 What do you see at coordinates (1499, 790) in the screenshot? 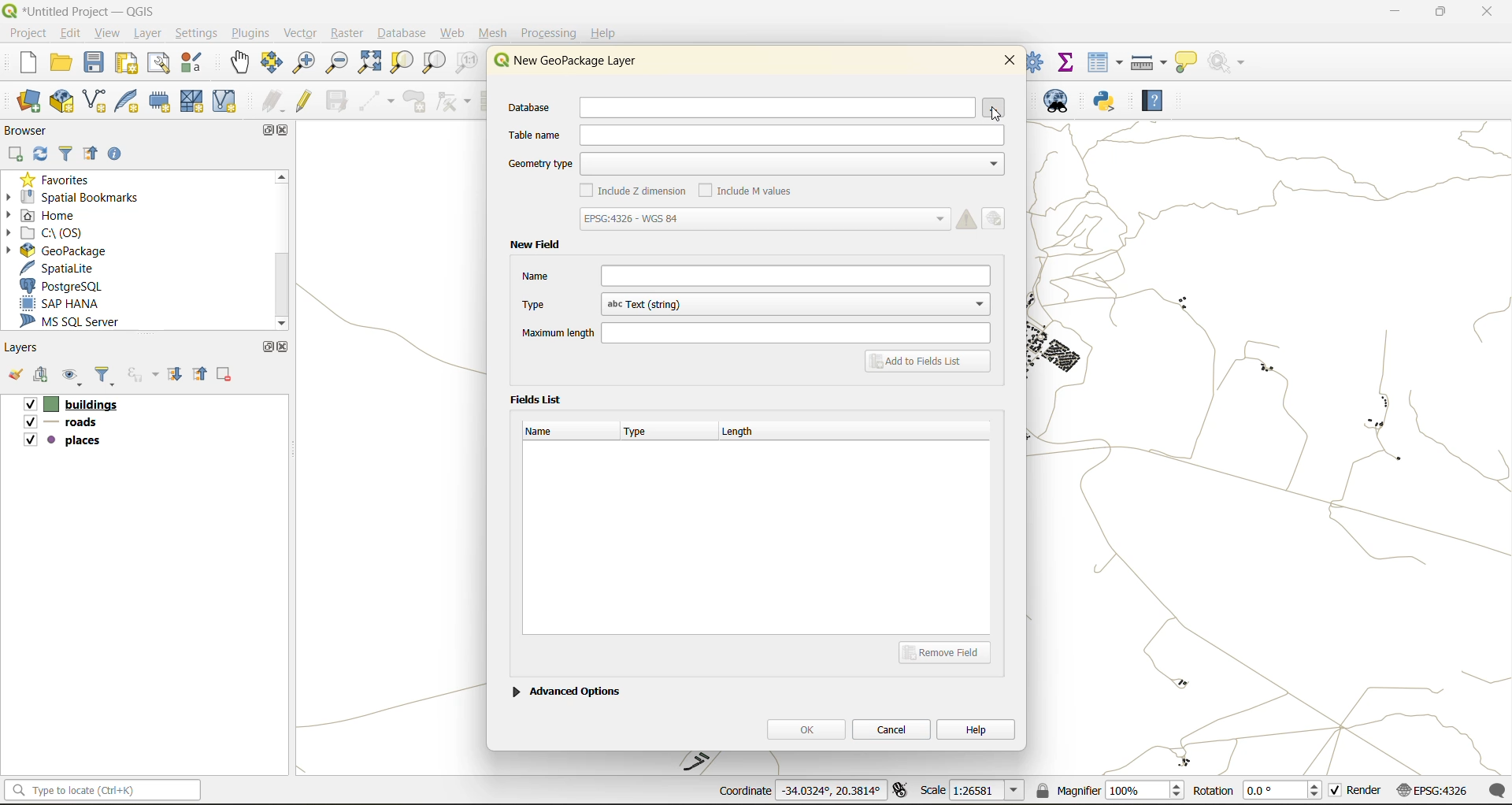
I see `log messages` at bounding box center [1499, 790].